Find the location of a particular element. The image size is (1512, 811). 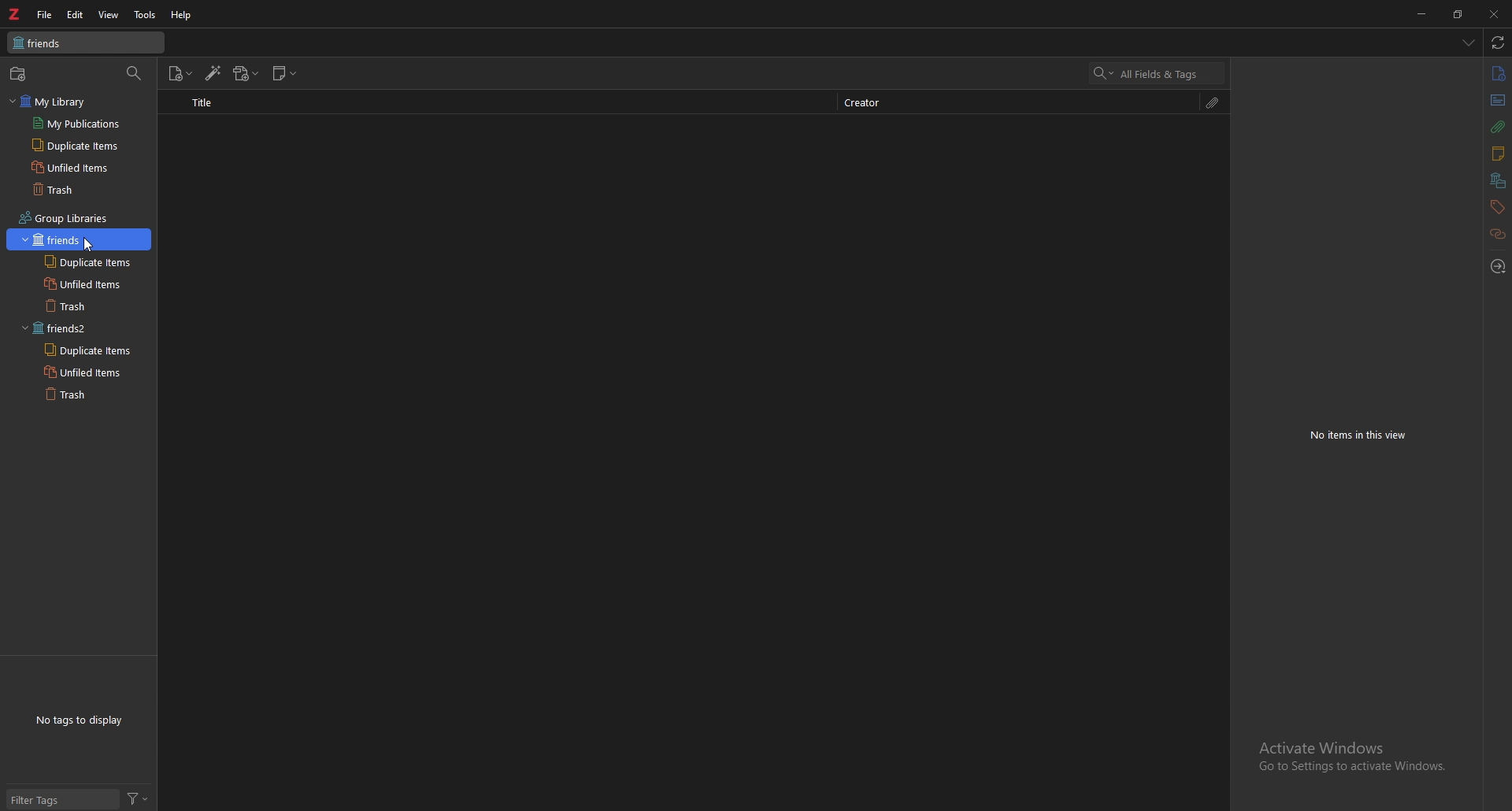

trash is located at coordinates (90, 394).